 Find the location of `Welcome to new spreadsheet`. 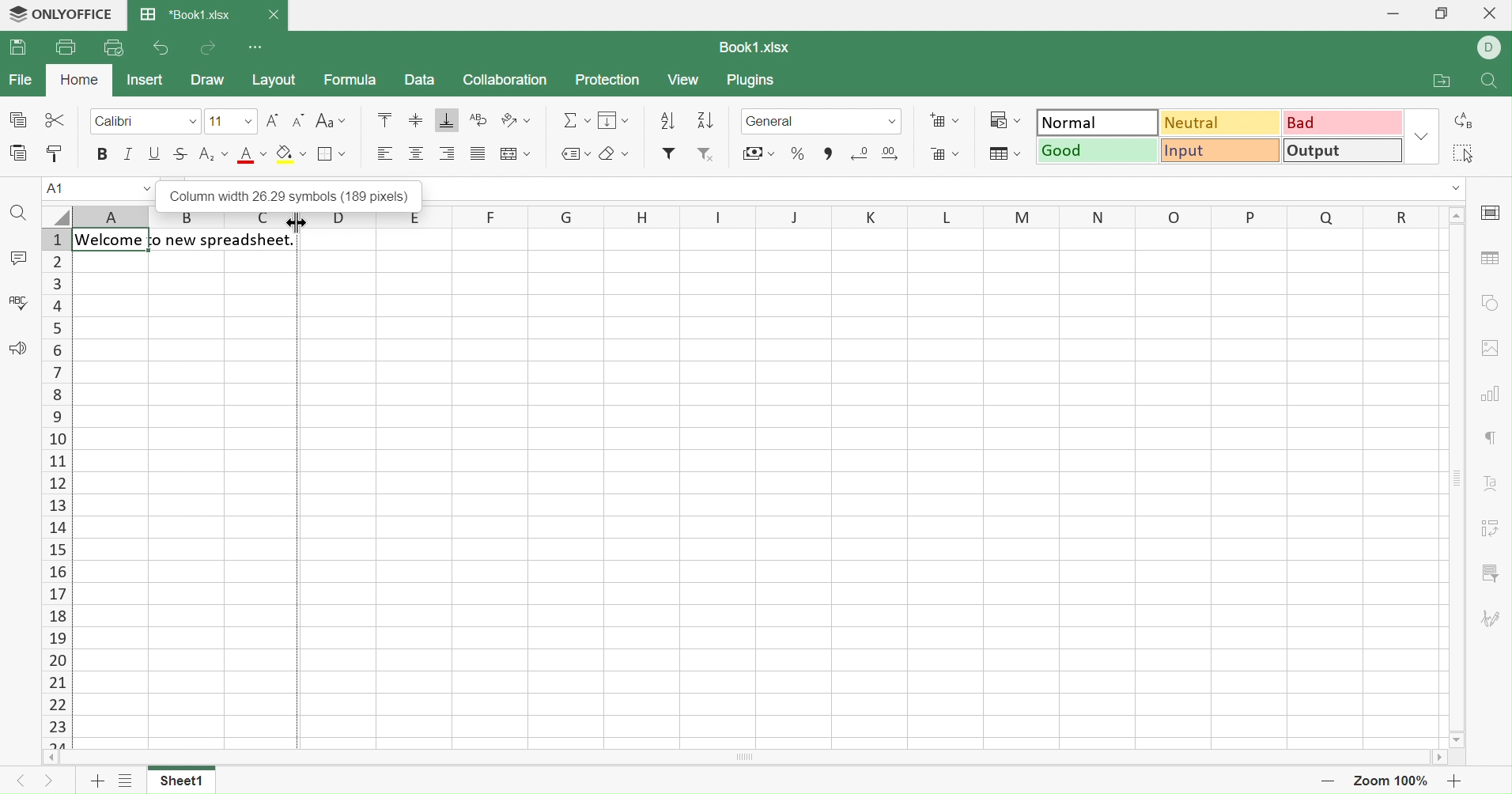

Welcome to new spreadsheet is located at coordinates (187, 241).